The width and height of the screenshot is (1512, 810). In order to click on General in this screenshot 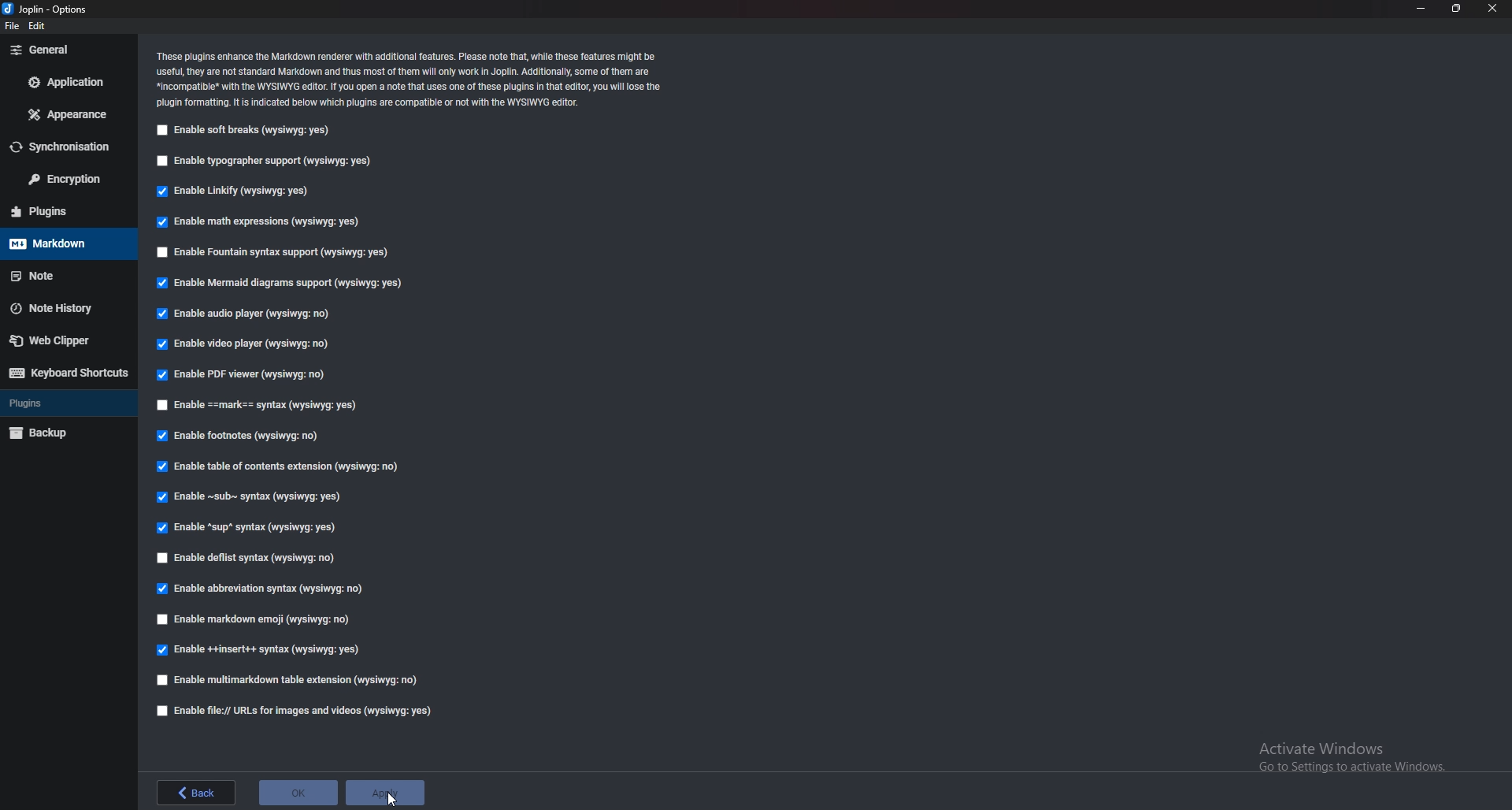, I will do `click(62, 49)`.